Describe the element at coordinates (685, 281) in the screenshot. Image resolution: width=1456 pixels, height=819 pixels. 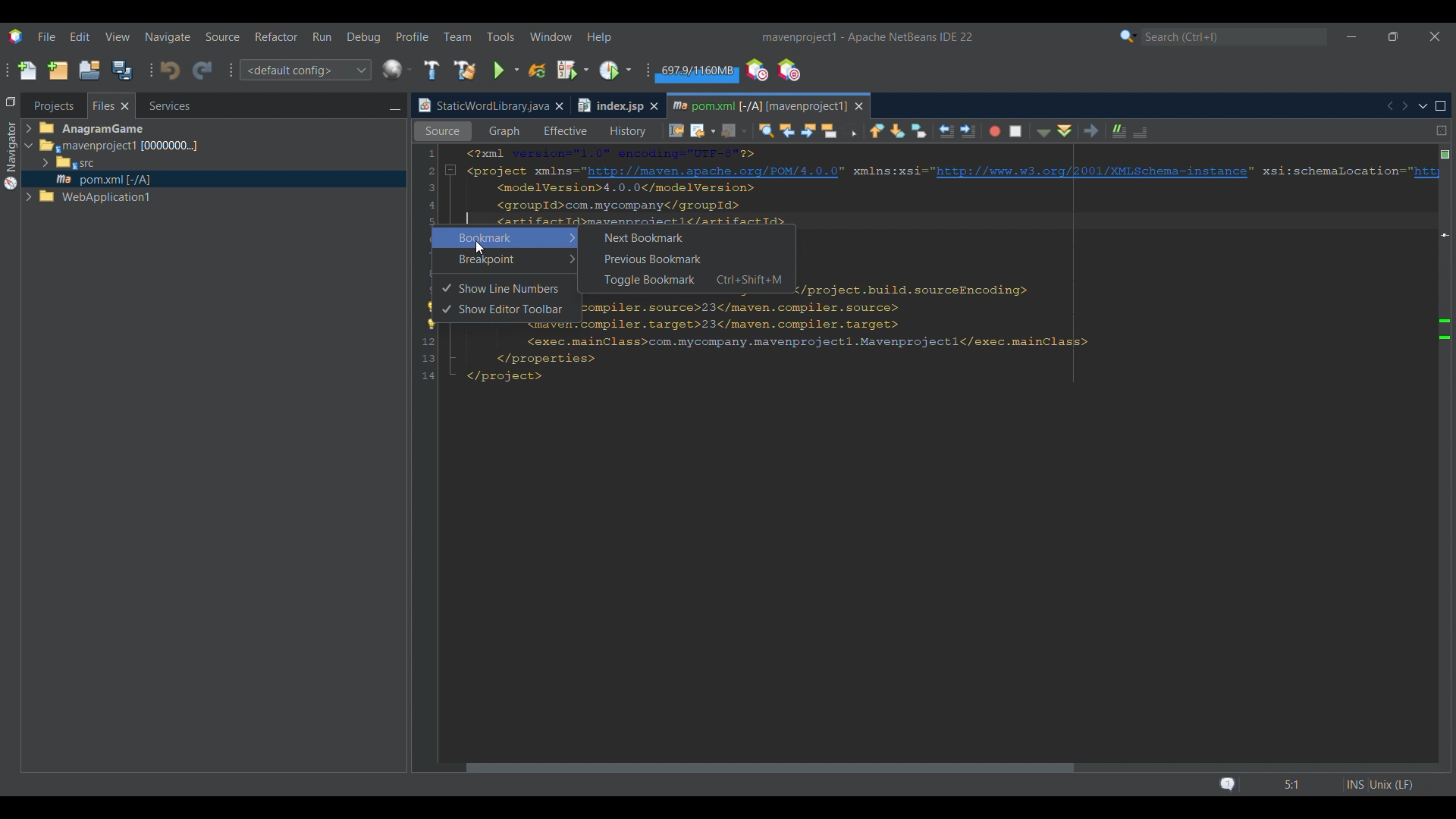
I see `Toggle bookmark` at that location.